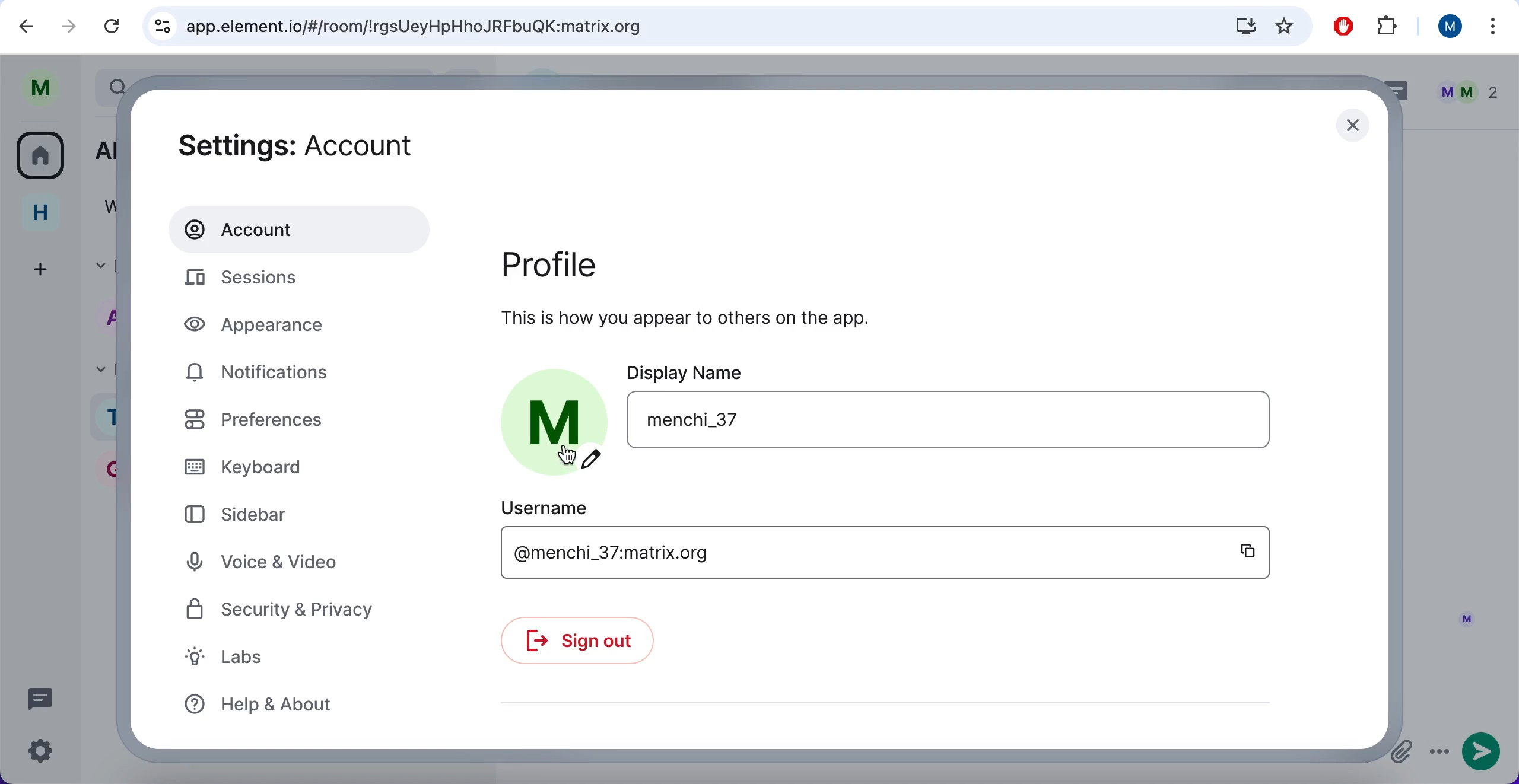 Image resolution: width=1519 pixels, height=784 pixels. Describe the element at coordinates (724, 26) in the screenshot. I see `search bar` at that location.